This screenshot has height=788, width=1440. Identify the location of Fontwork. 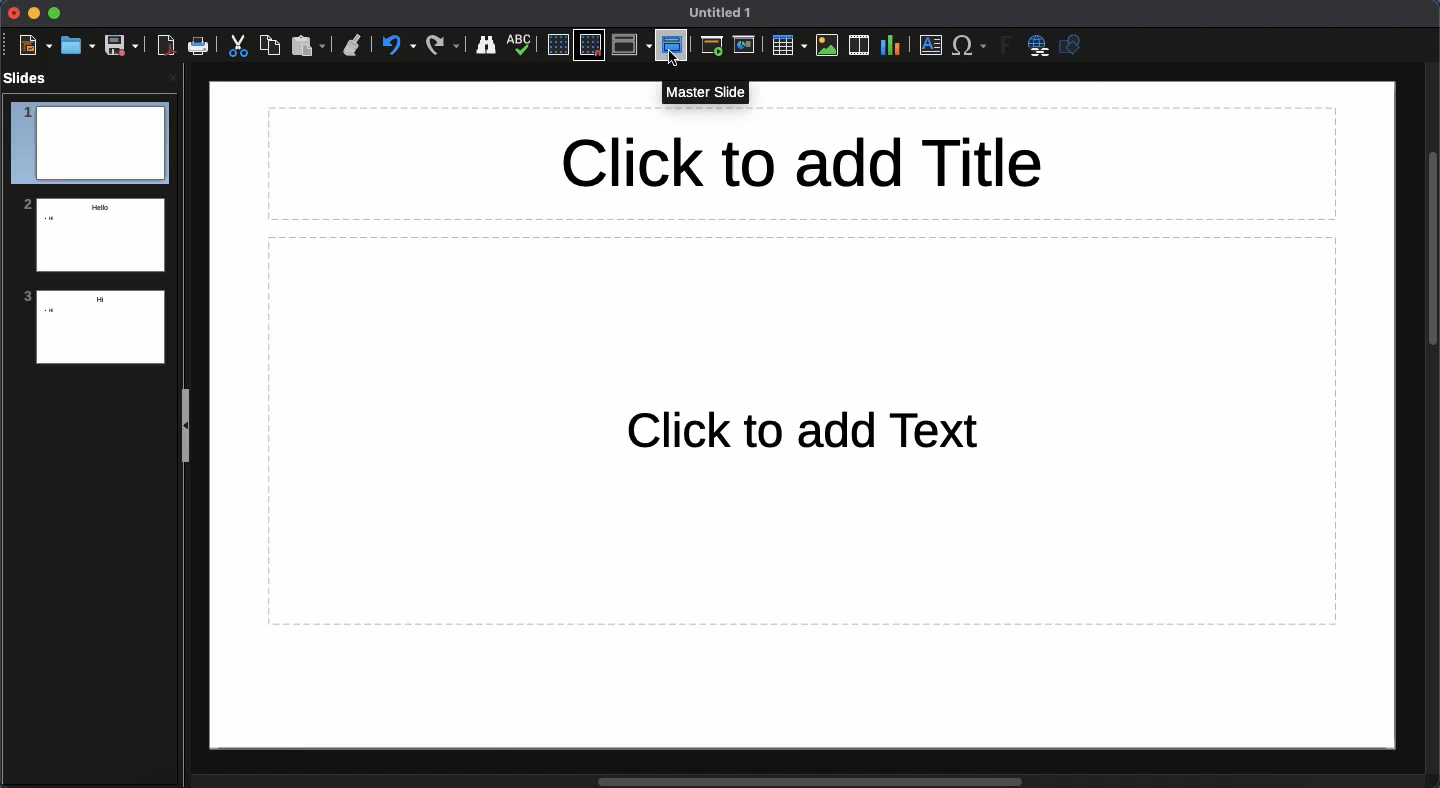
(1003, 45).